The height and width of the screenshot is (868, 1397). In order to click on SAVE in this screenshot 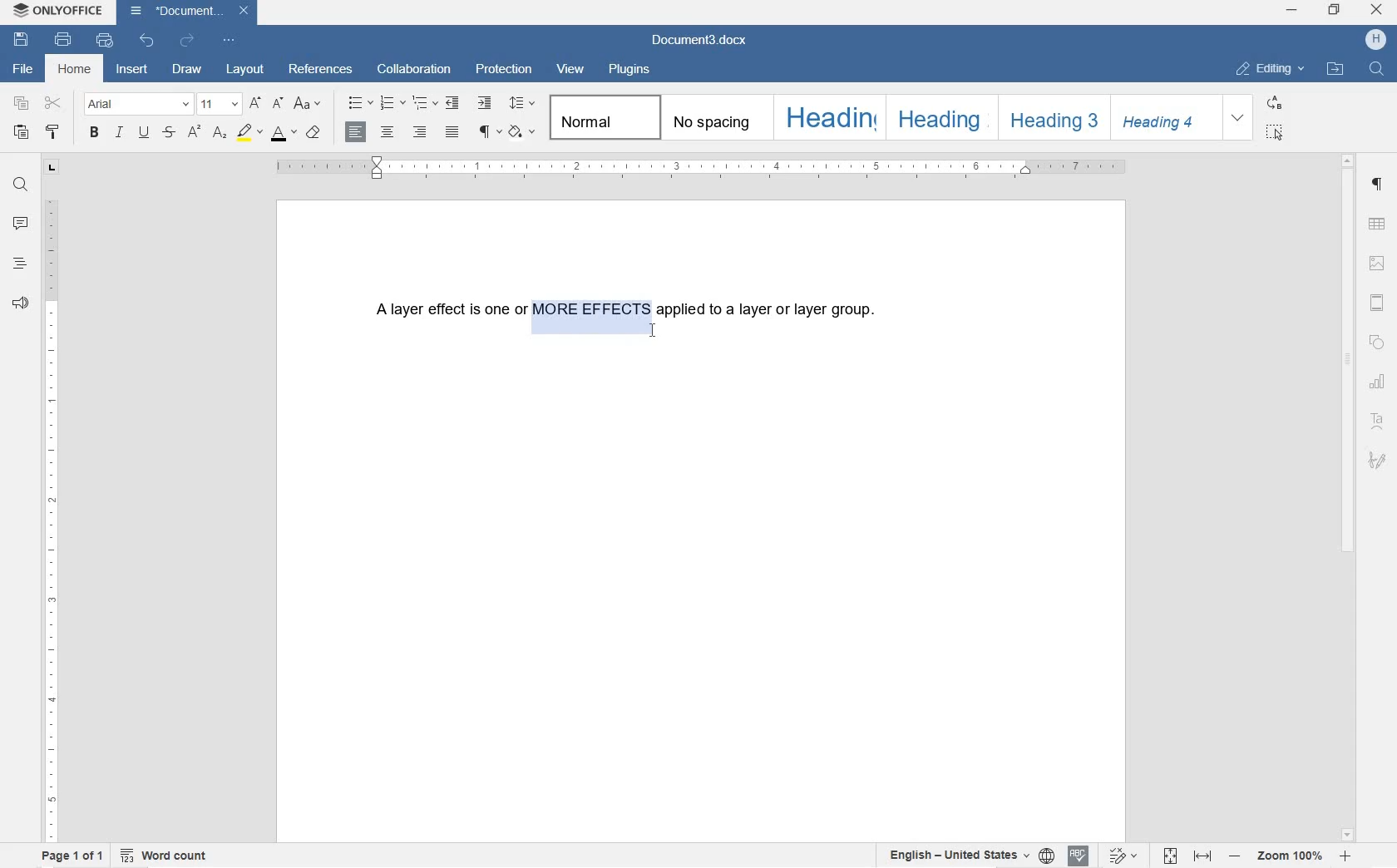, I will do `click(23, 41)`.